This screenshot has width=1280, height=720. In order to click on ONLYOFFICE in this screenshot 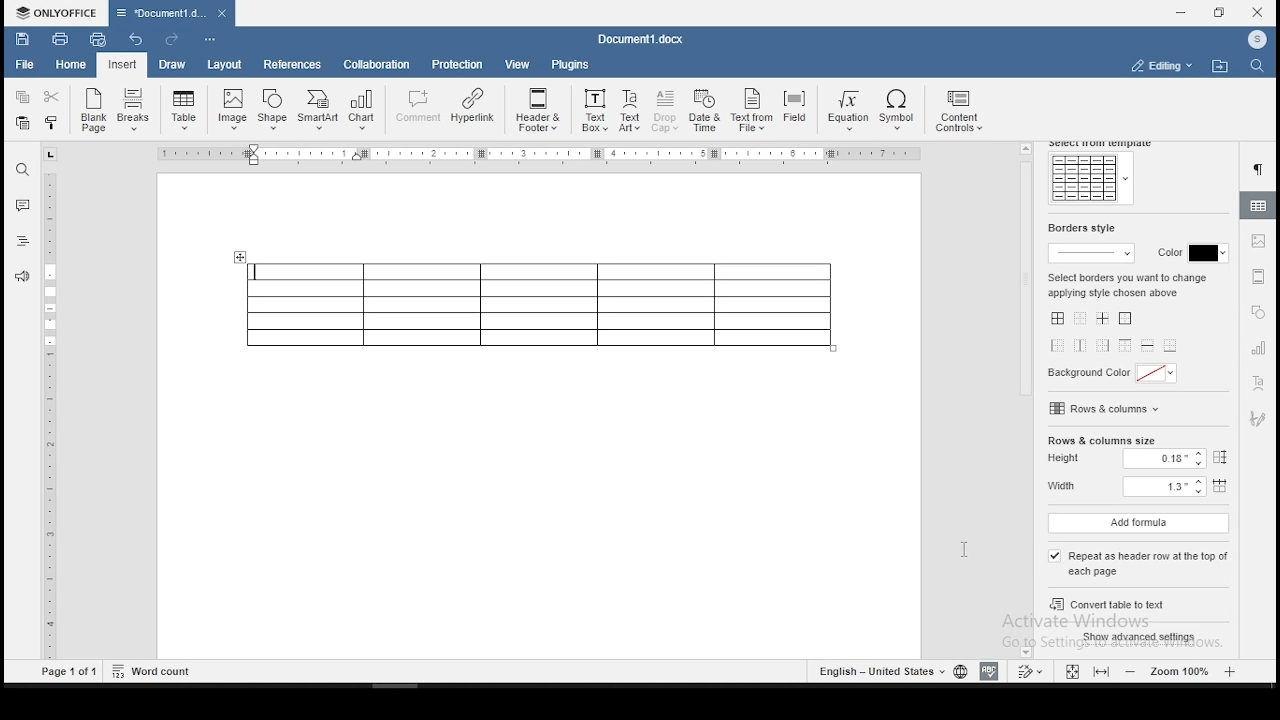, I will do `click(54, 12)`.